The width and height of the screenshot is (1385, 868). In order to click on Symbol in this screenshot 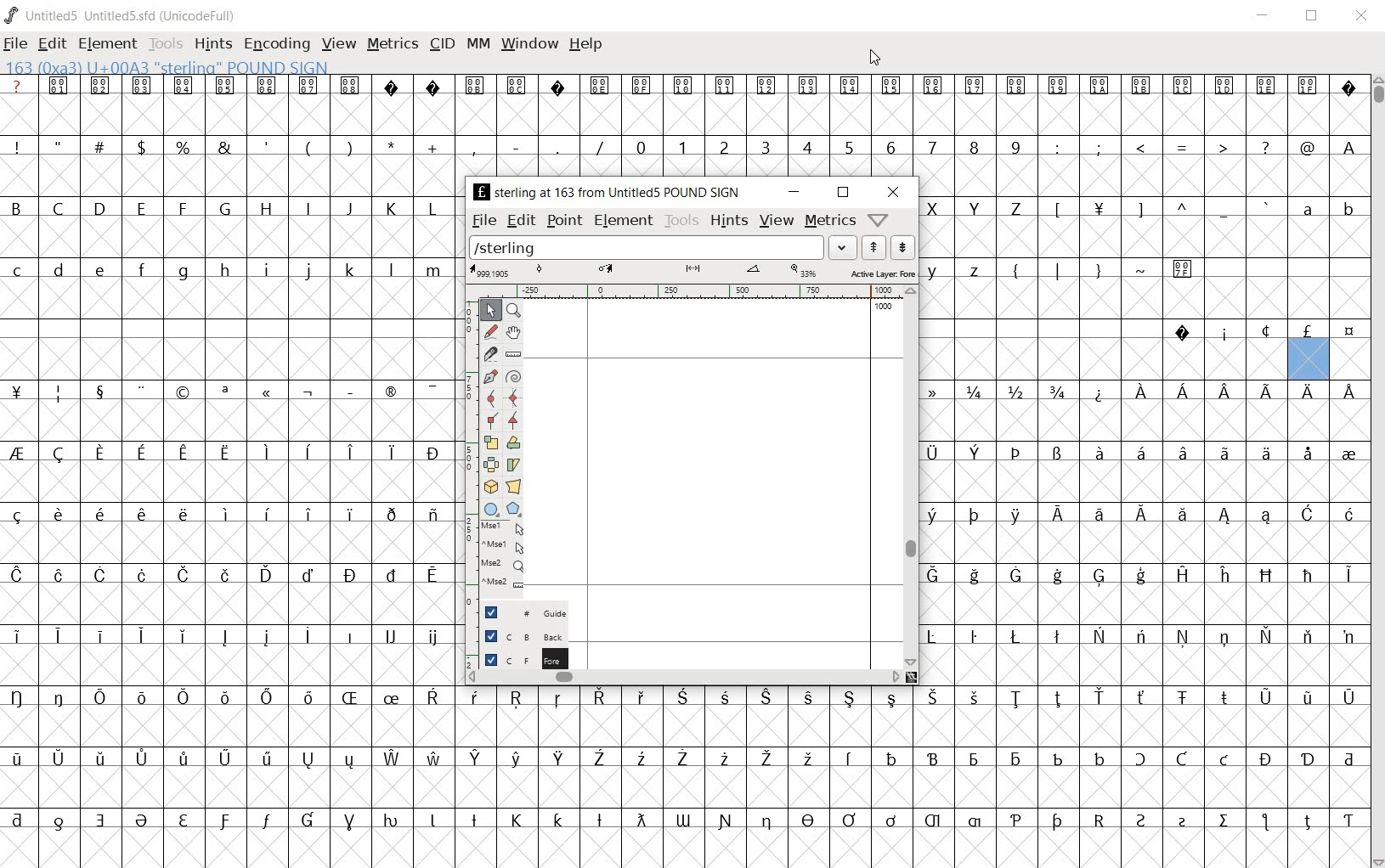, I will do `click(1183, 821)`.